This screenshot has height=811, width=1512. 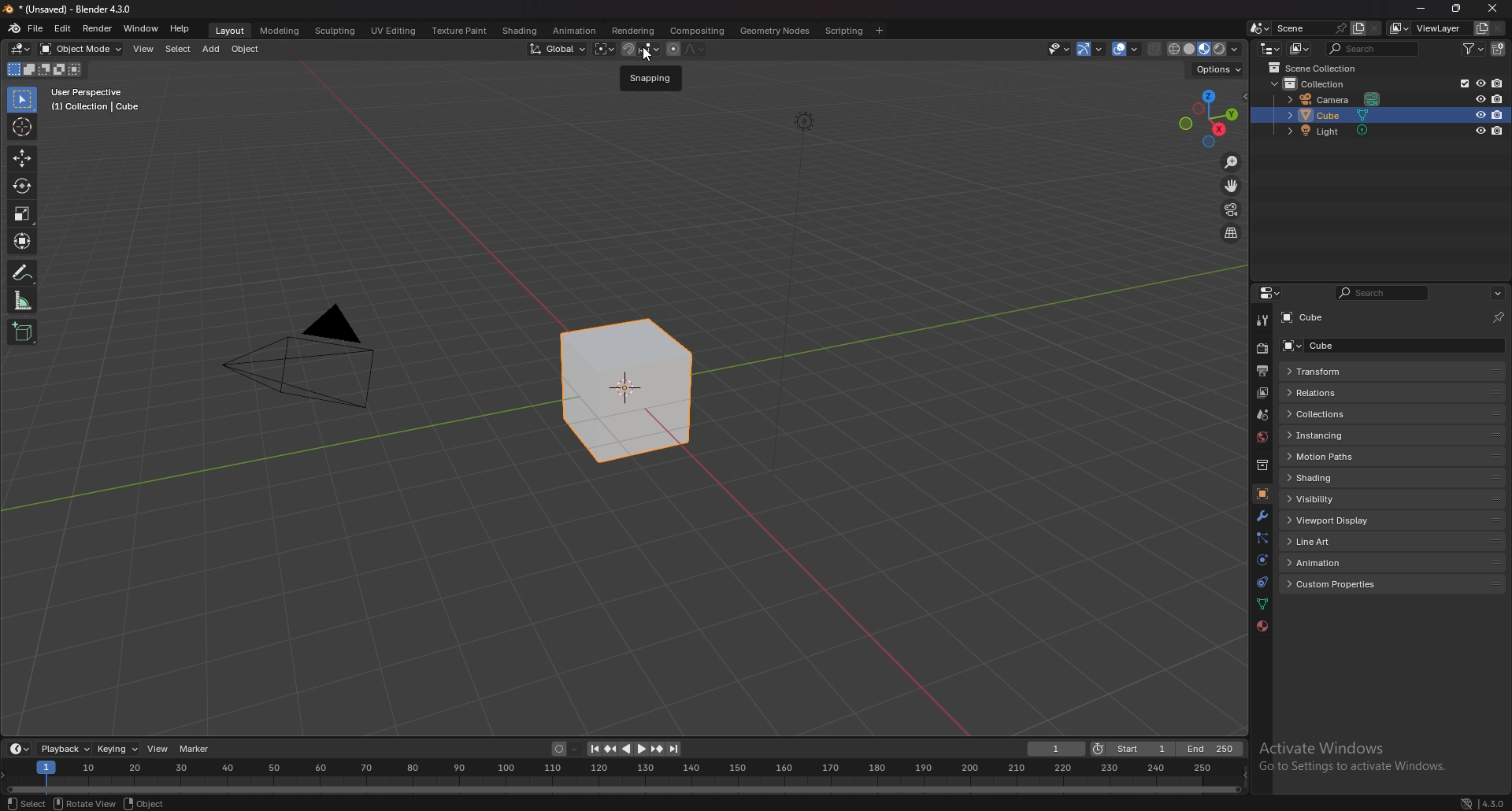 What do you see at coordinates (613, 749) in the screenshot?
I see `jump to previous keyframe` at bounding box center [613, 749].